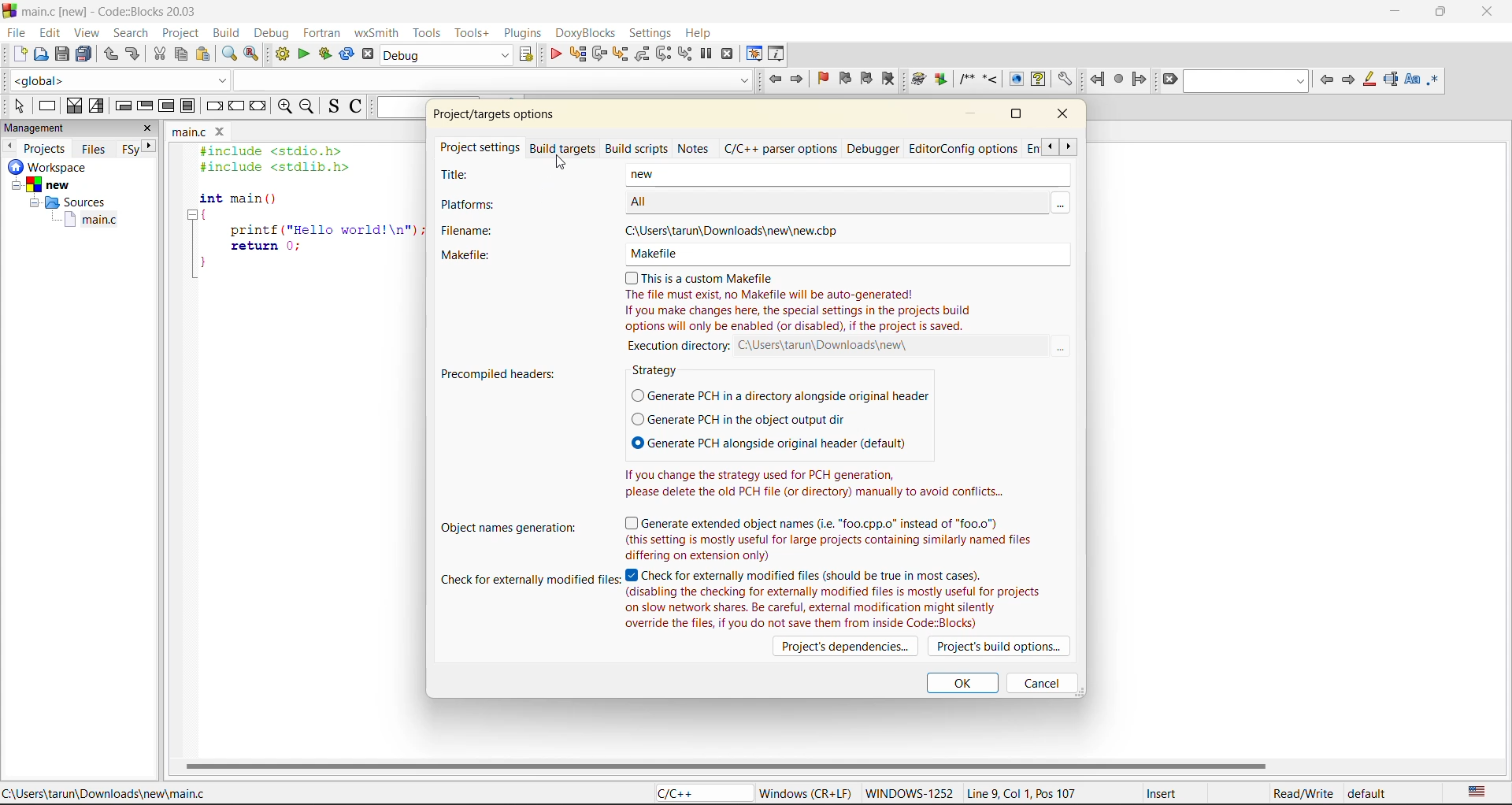 The height and width of the screenshot is (805, 1512). I want to click on Insert, so click(1185, 792).